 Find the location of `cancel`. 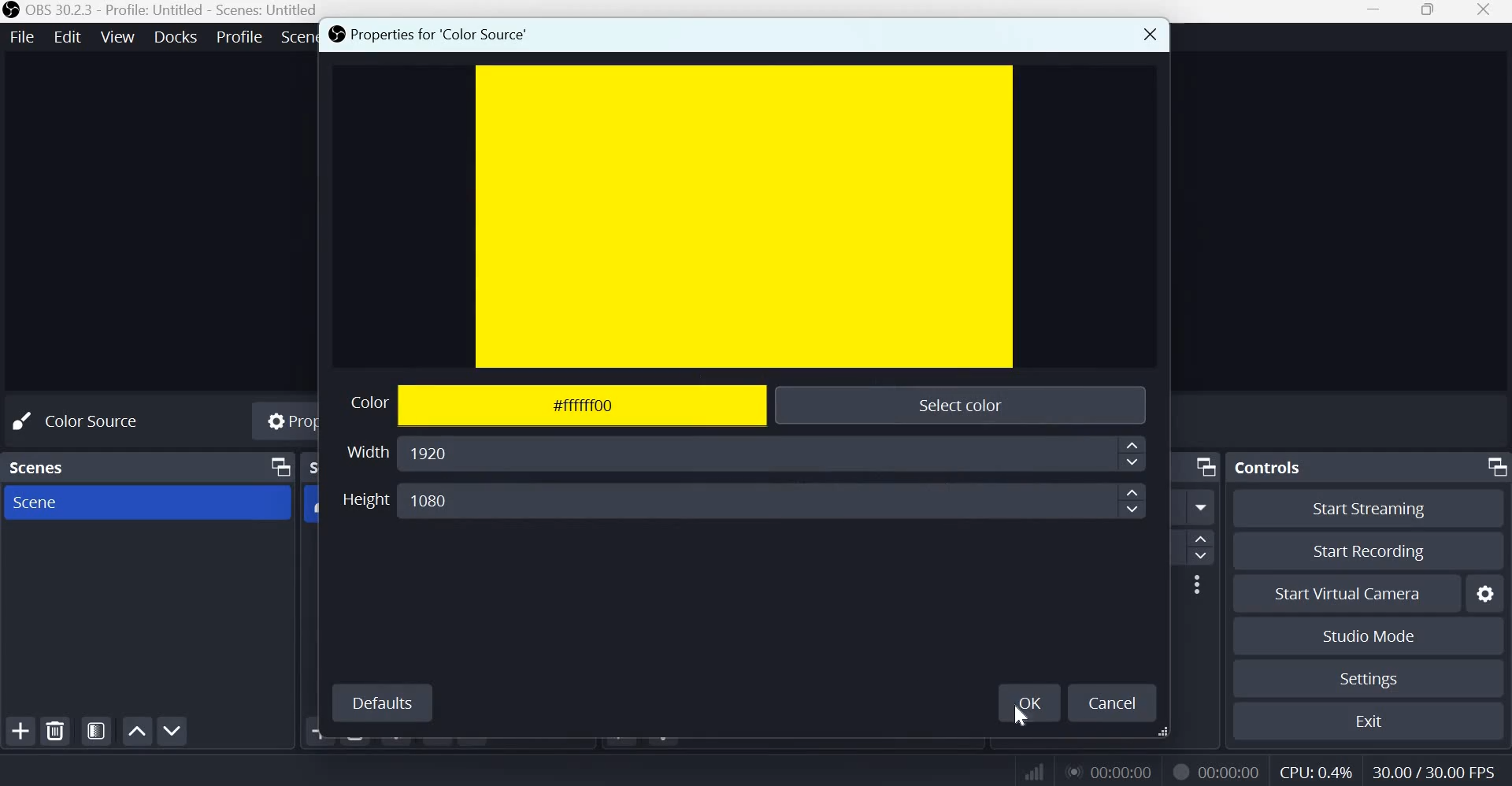

cancel is located at coordinates (1114, 702).